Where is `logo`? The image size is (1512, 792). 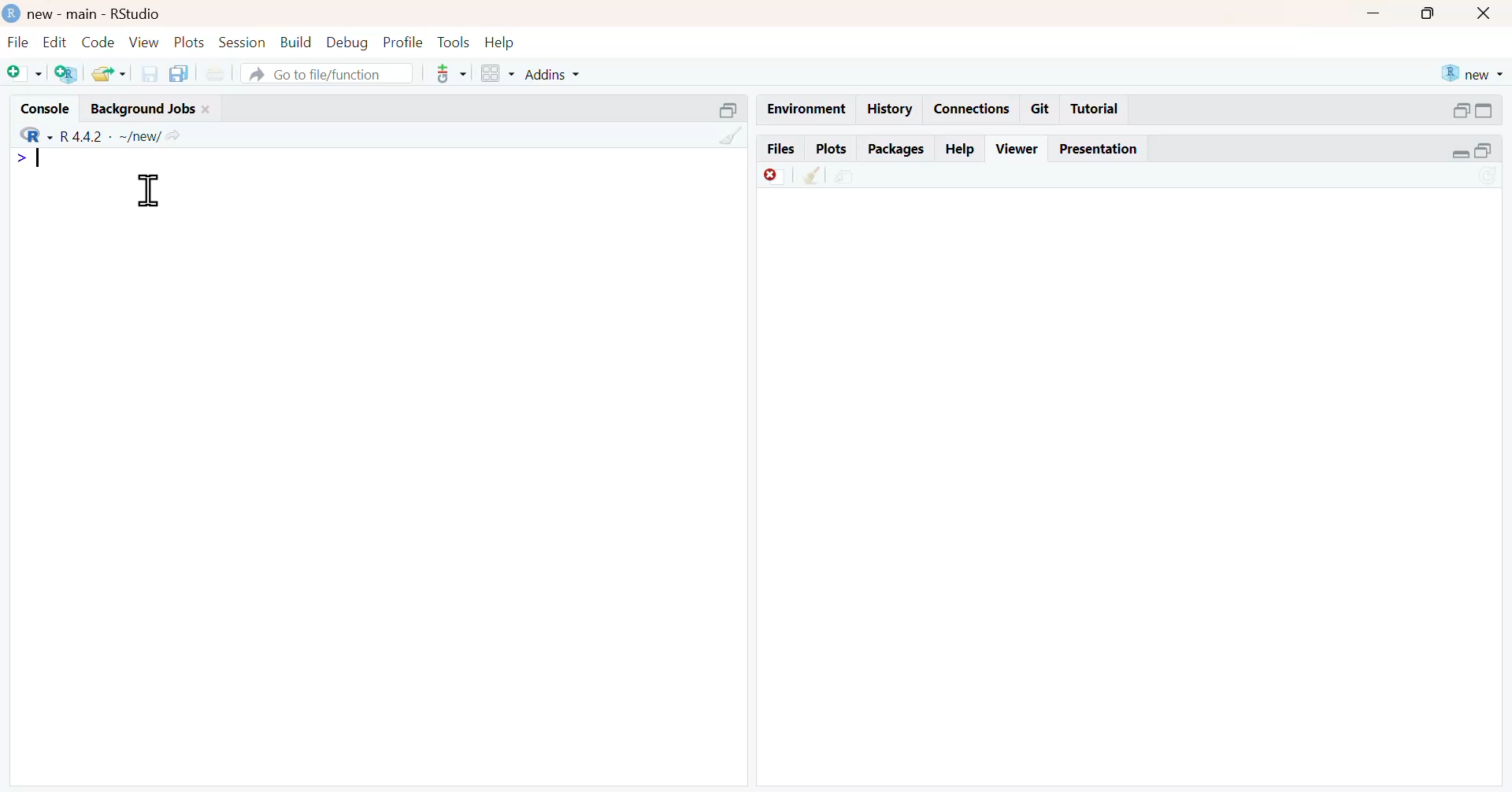
logo is located at coordinates (9, 12).